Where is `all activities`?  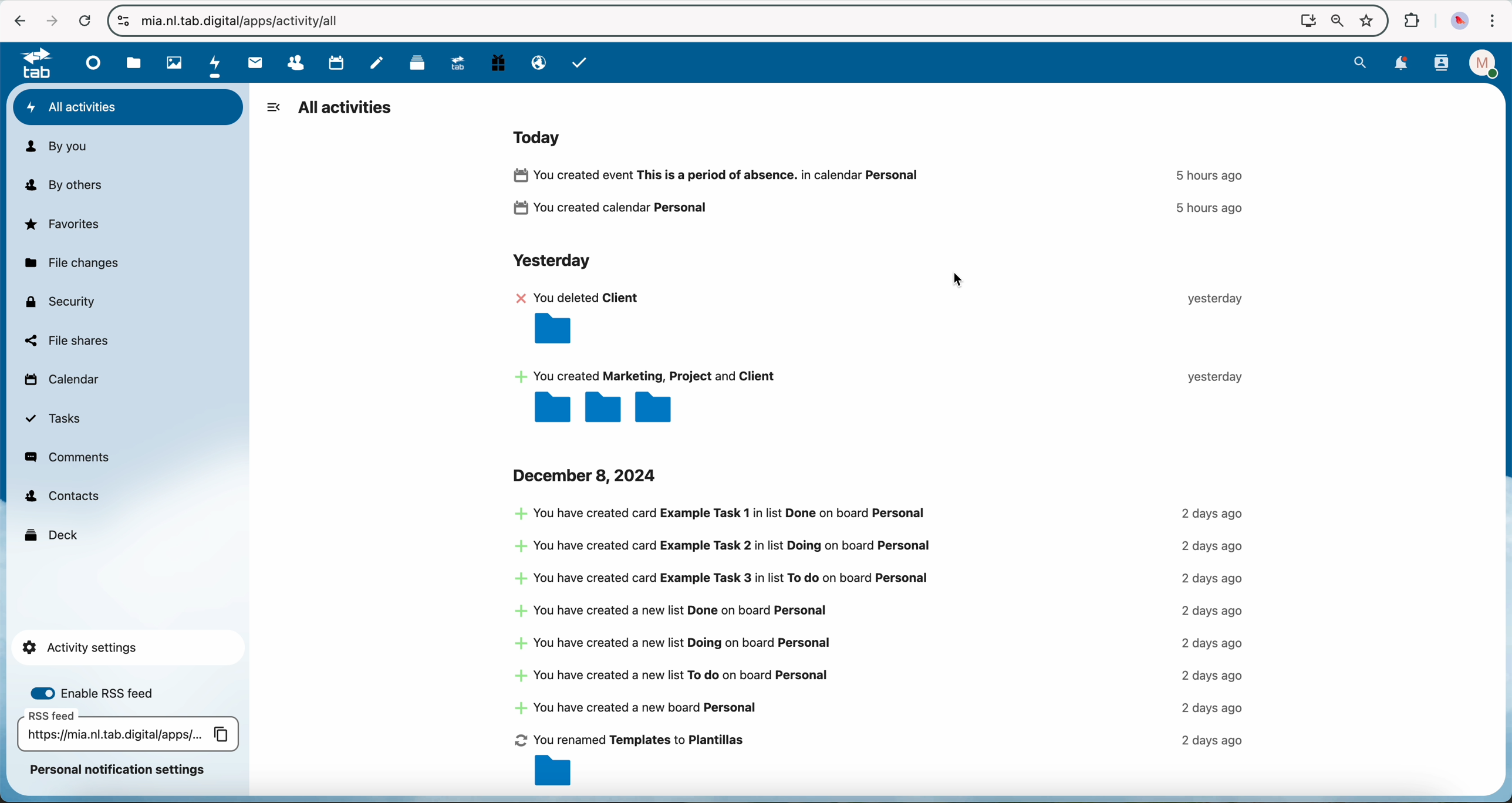 all activities is located at coordinates (129, 107).